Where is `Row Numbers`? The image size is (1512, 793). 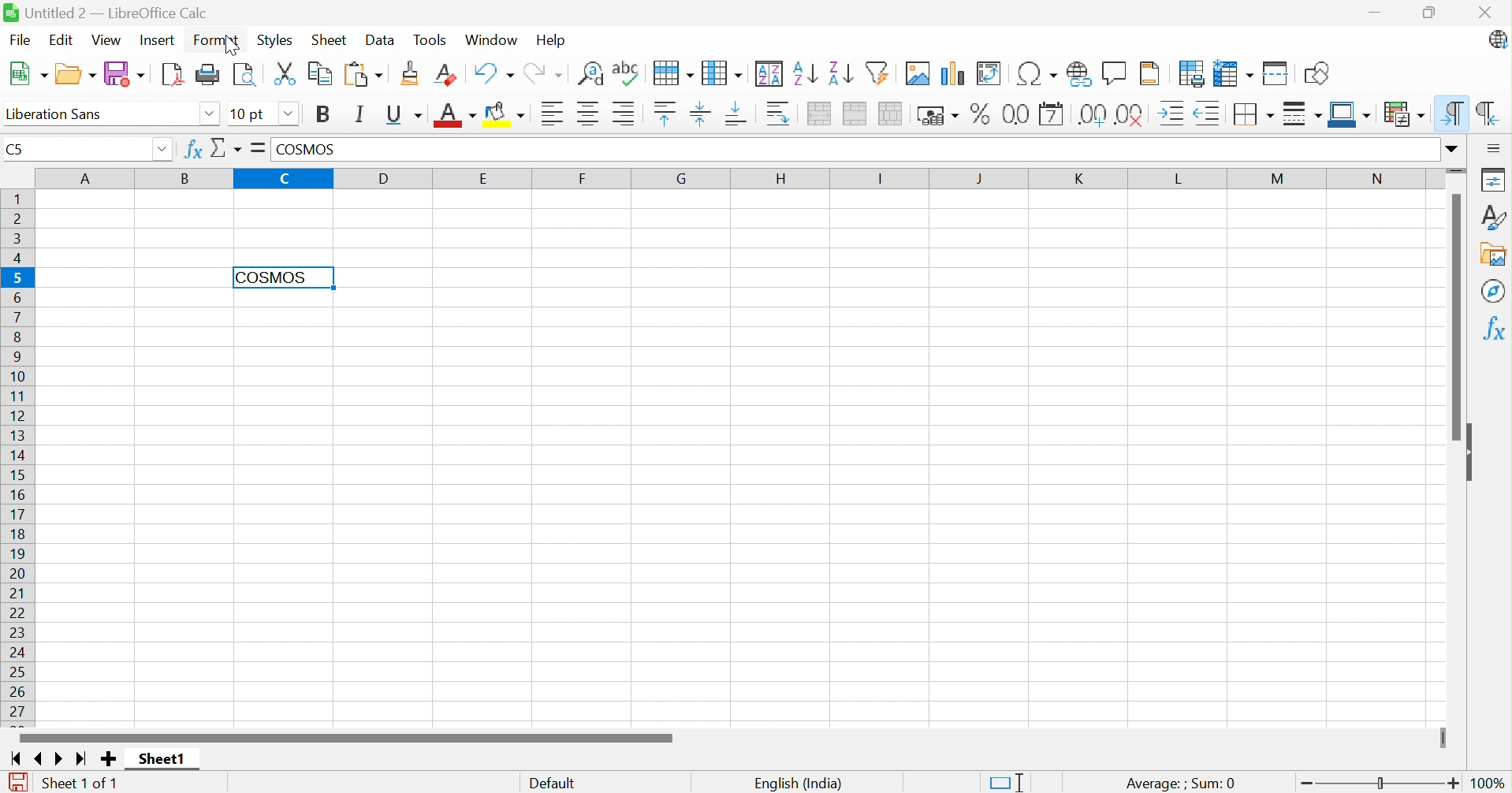
Row Numbers is located at coordinates (20, 456).